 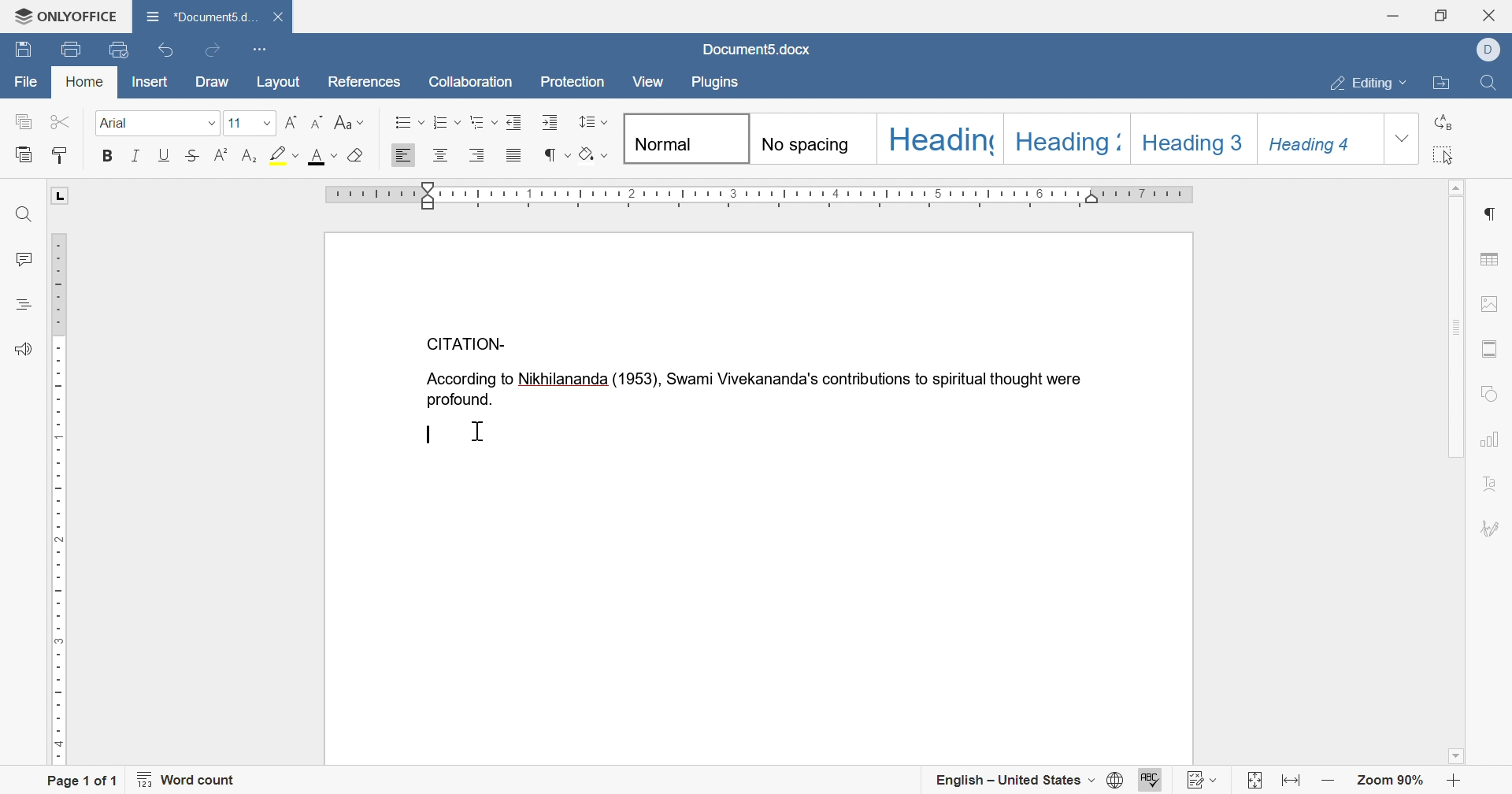 I want to click on replace all, so click(x=1443, y=121).